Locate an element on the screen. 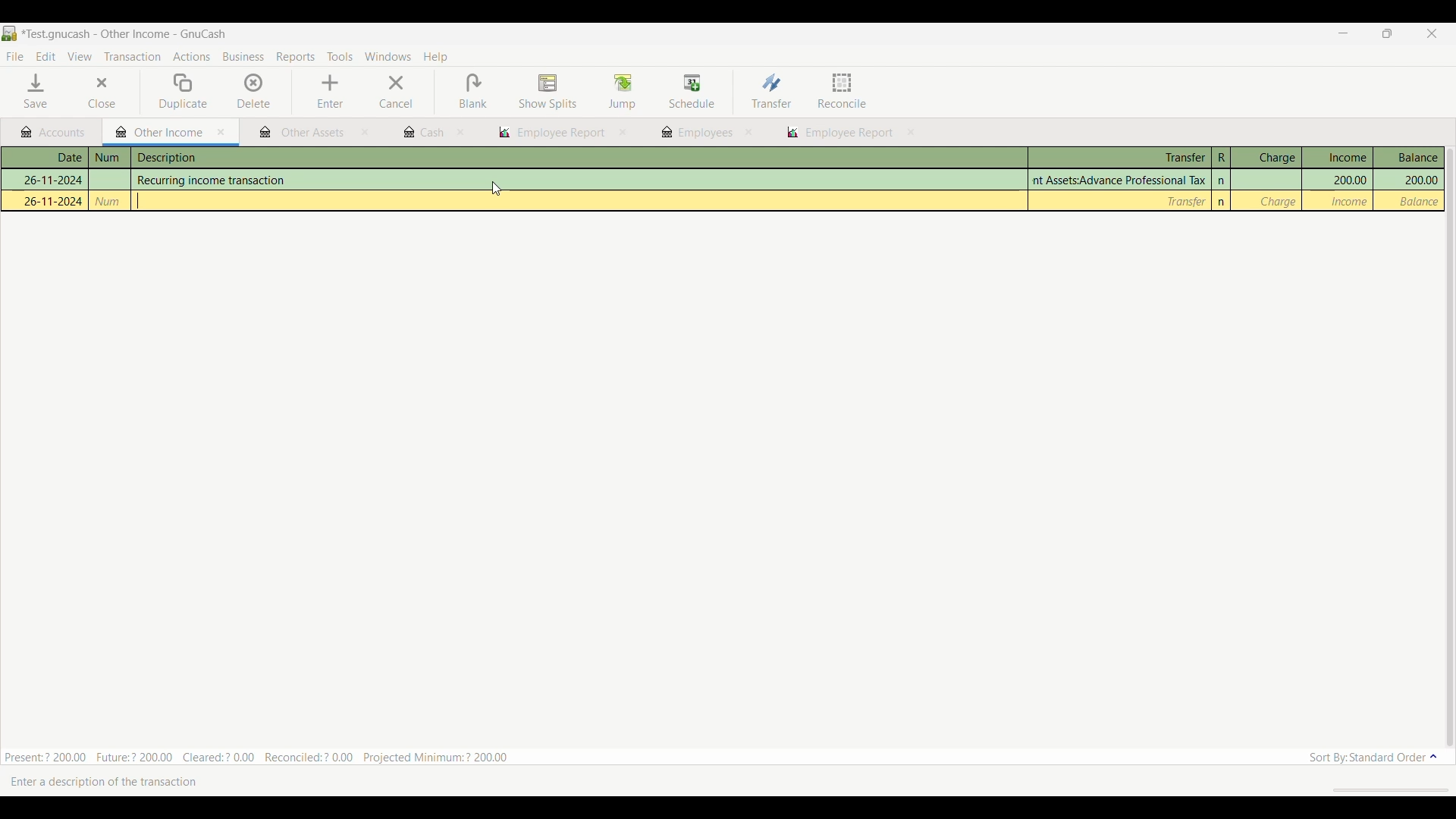 The height and width of the screenshot is (819, 1456). close is located at coordinates (462, 133).